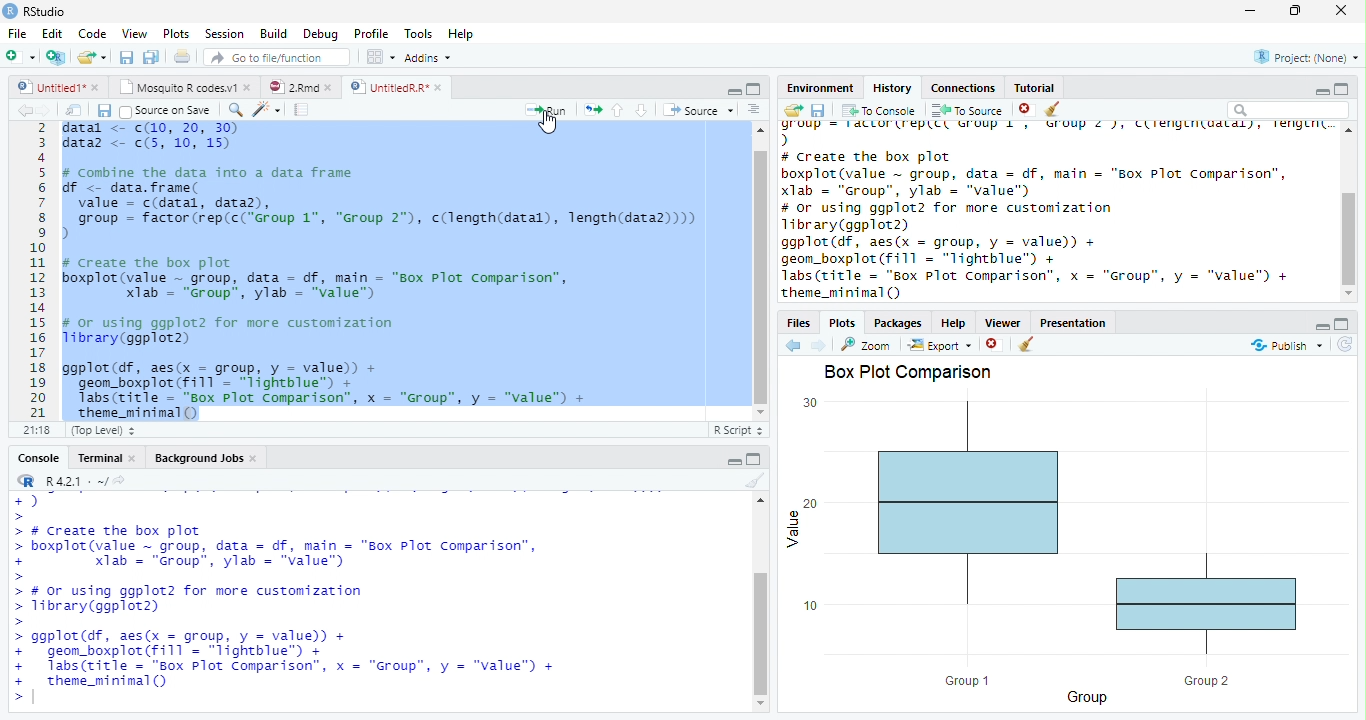  What do you see at coordinates (319, 34) in the screenshot?
I see `Debug` at bounding box center [319, 34].